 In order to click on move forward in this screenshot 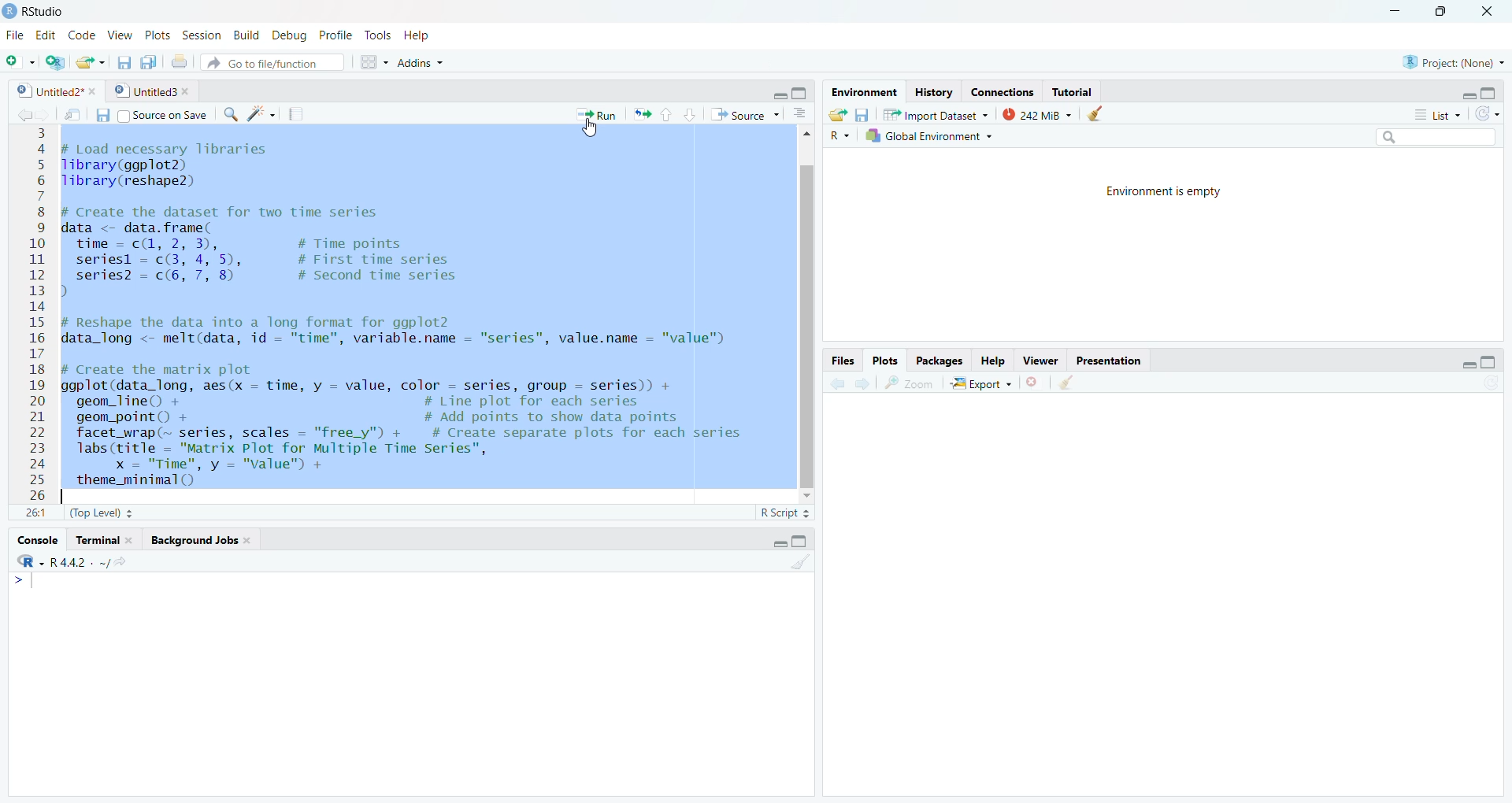, I will do `click(862, 383)`.